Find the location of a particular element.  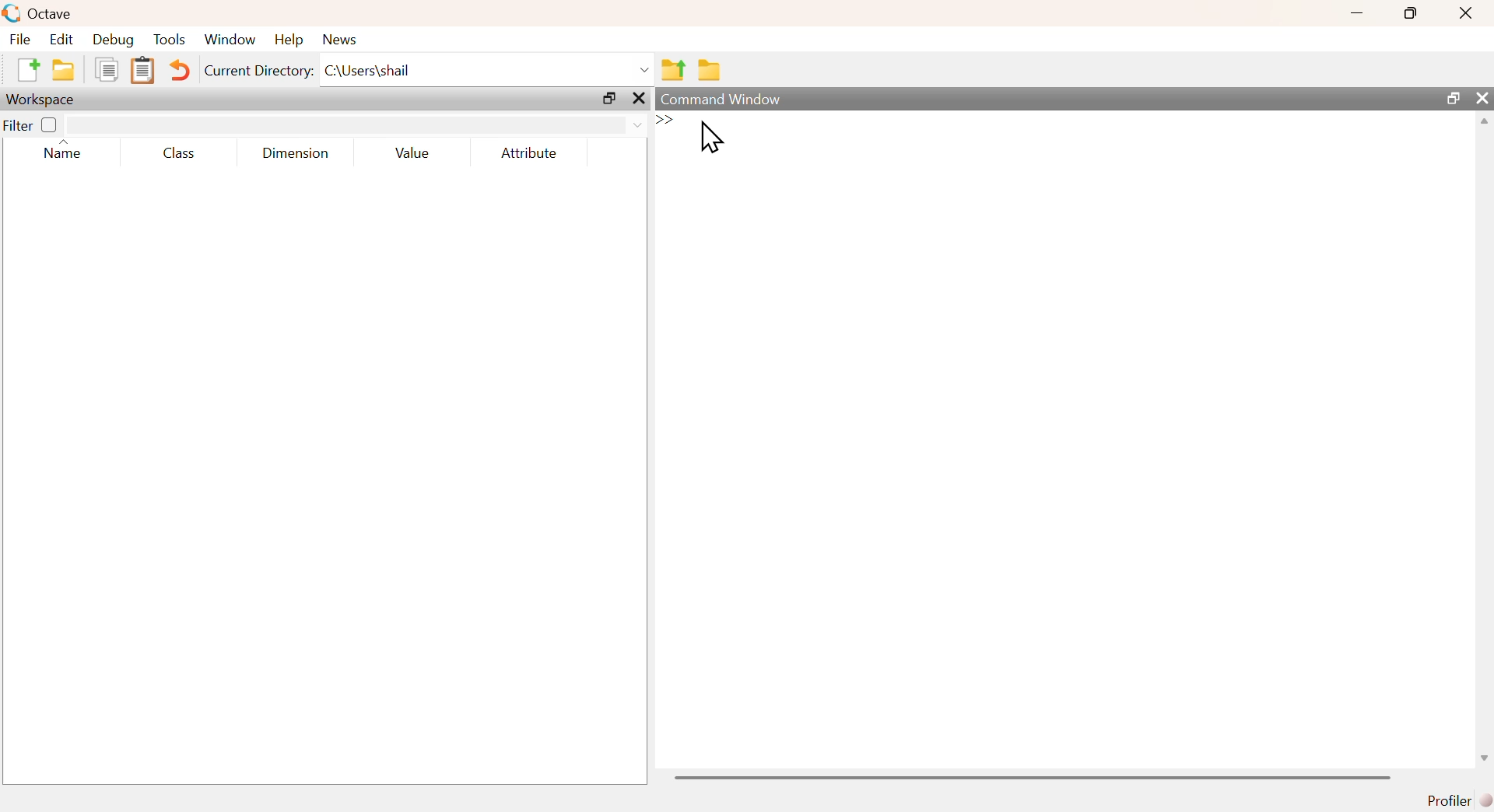

browse directories is located at coordinates (710, 72).